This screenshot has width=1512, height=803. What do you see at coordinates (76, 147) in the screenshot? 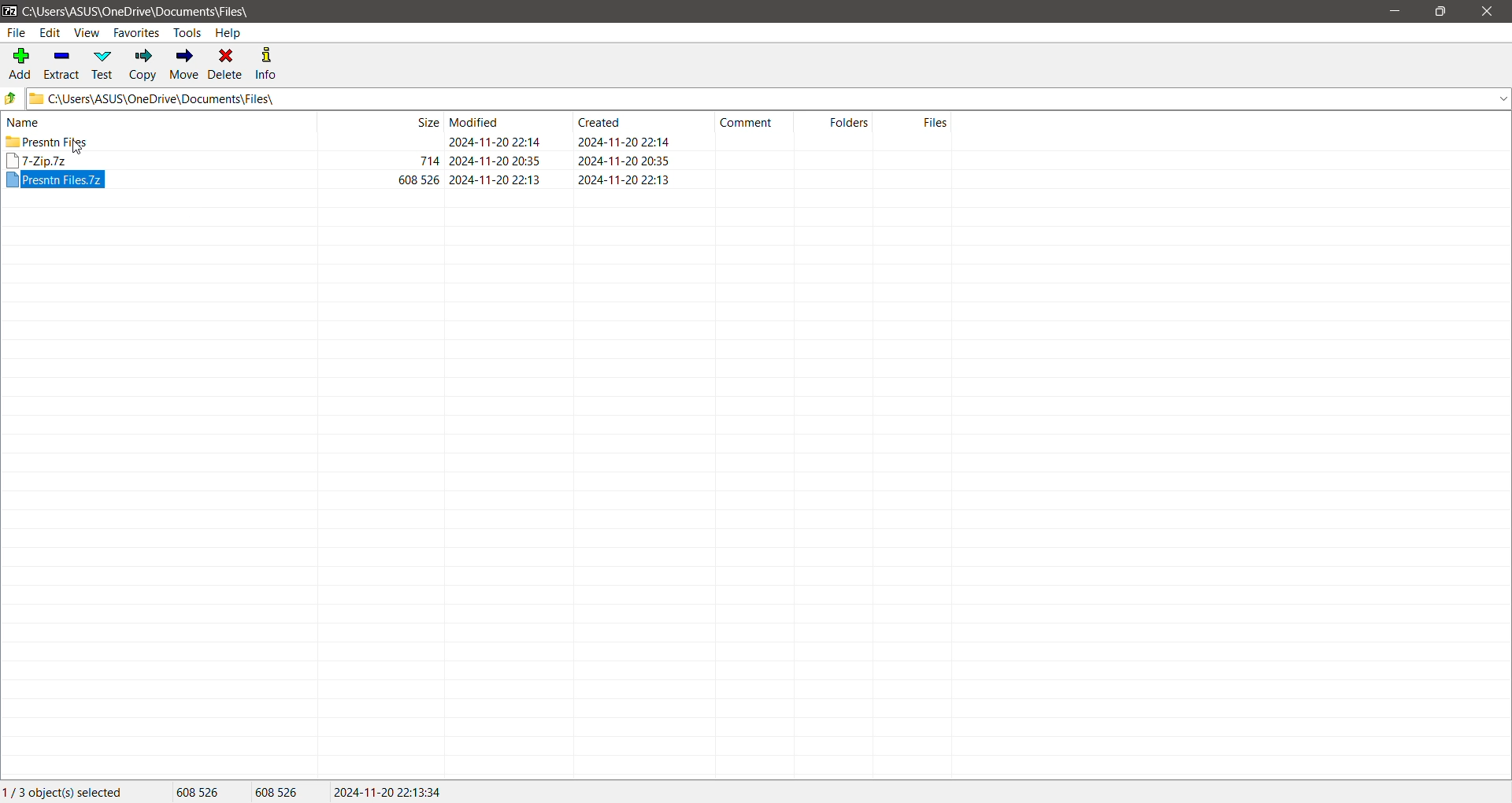
I see `cursor` at bounding box center [76, 147].